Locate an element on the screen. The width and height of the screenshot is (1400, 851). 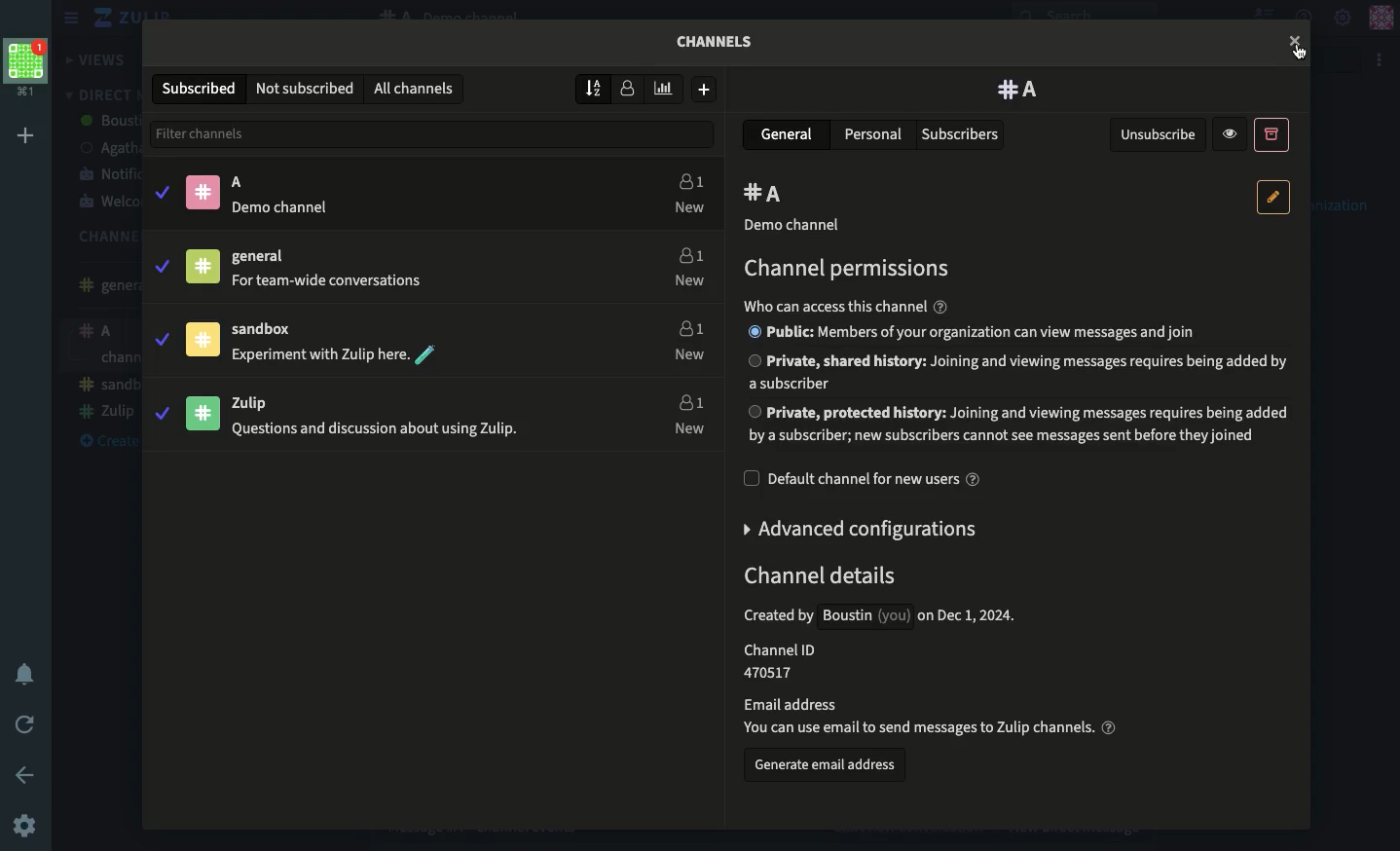
Zulip is located at coordinates (112, 18).